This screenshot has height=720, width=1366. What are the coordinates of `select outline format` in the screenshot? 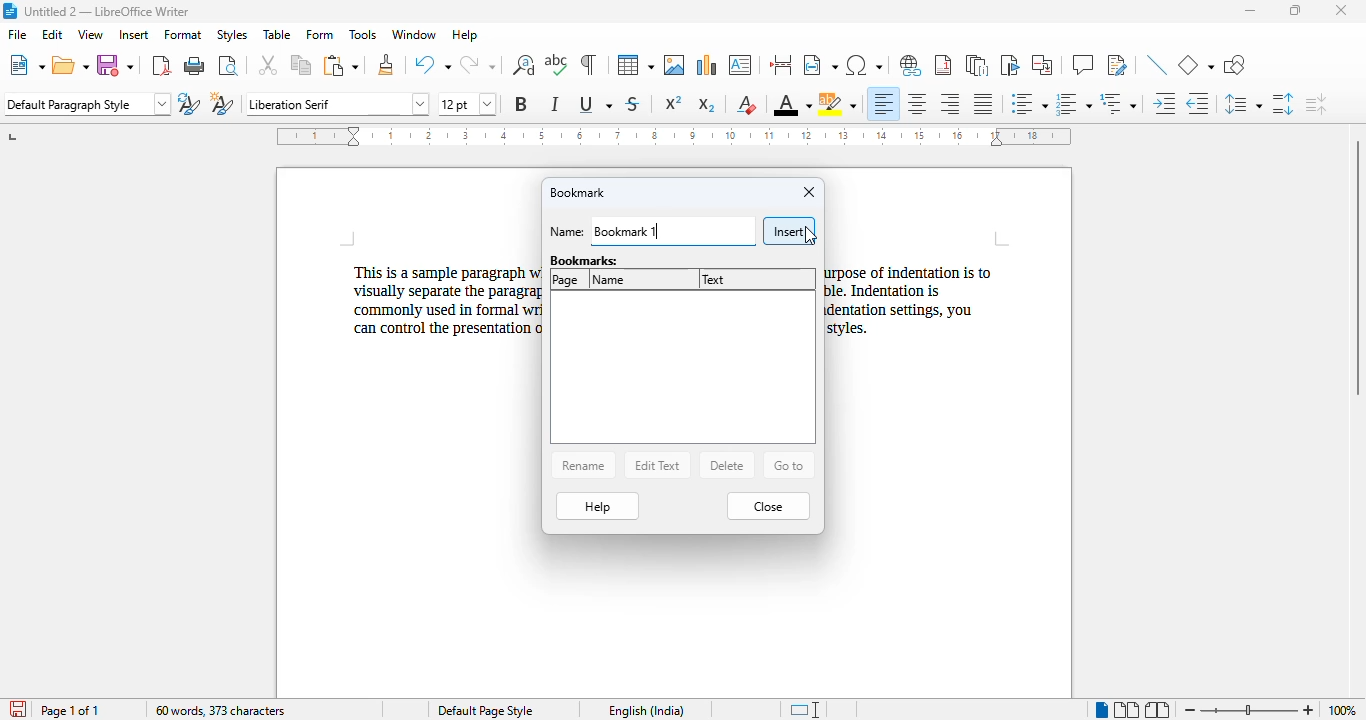 It's located at (1117, 103).